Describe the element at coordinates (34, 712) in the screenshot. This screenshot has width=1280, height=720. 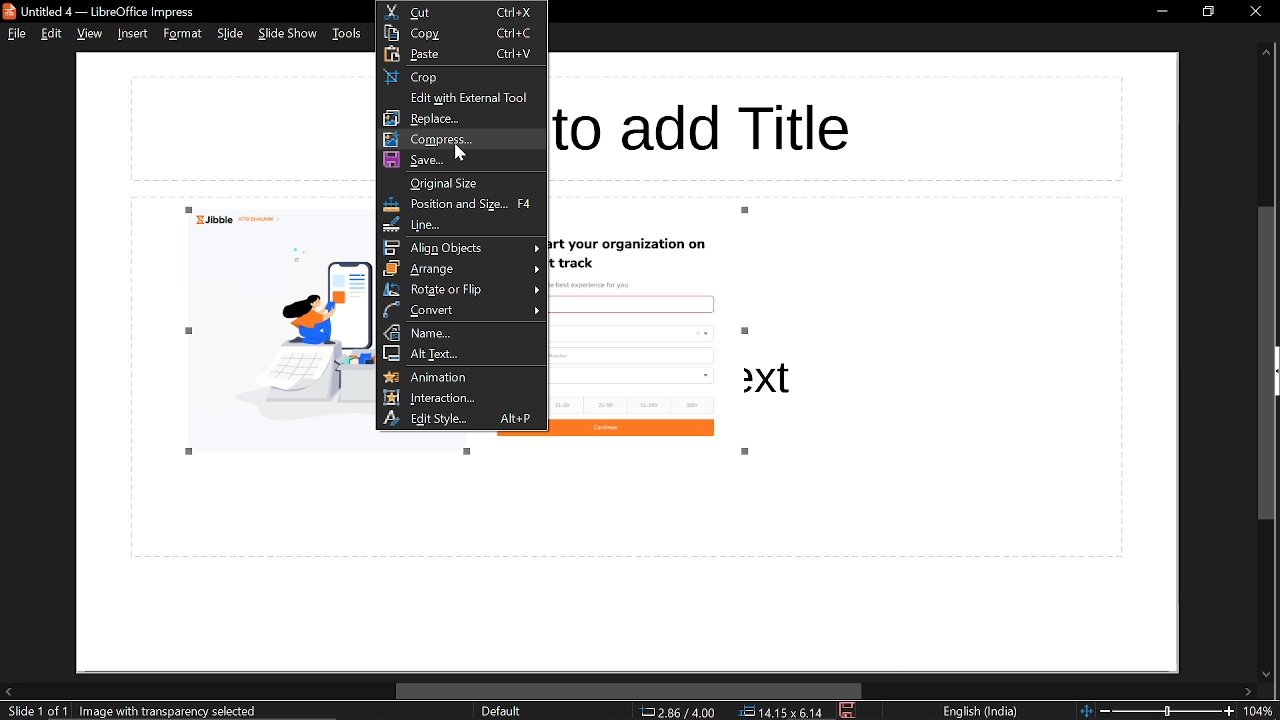
I see `current slide` at that location.